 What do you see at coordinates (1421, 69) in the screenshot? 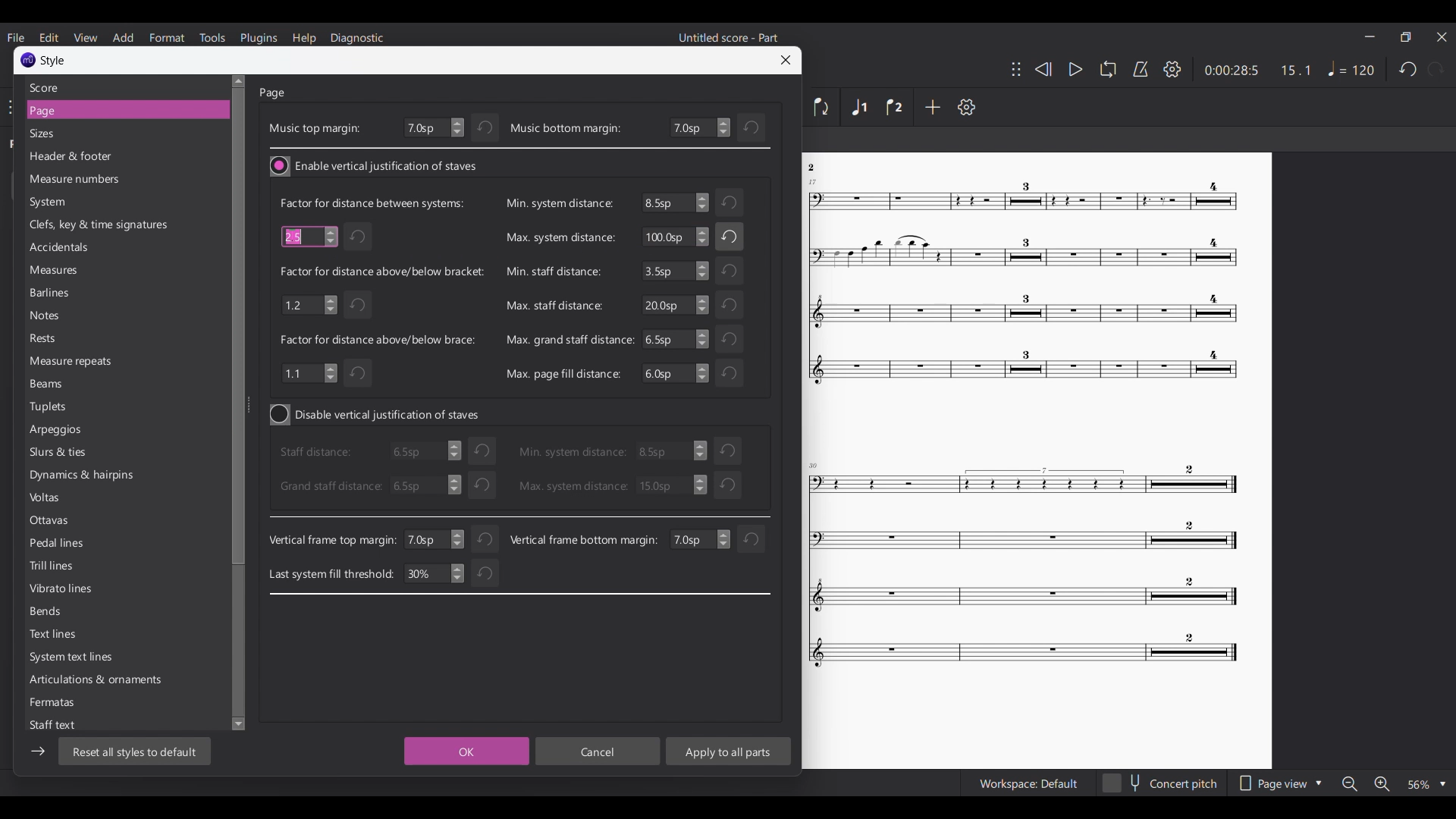
I see `Redo and undo` at bounding box center [1421, 69].